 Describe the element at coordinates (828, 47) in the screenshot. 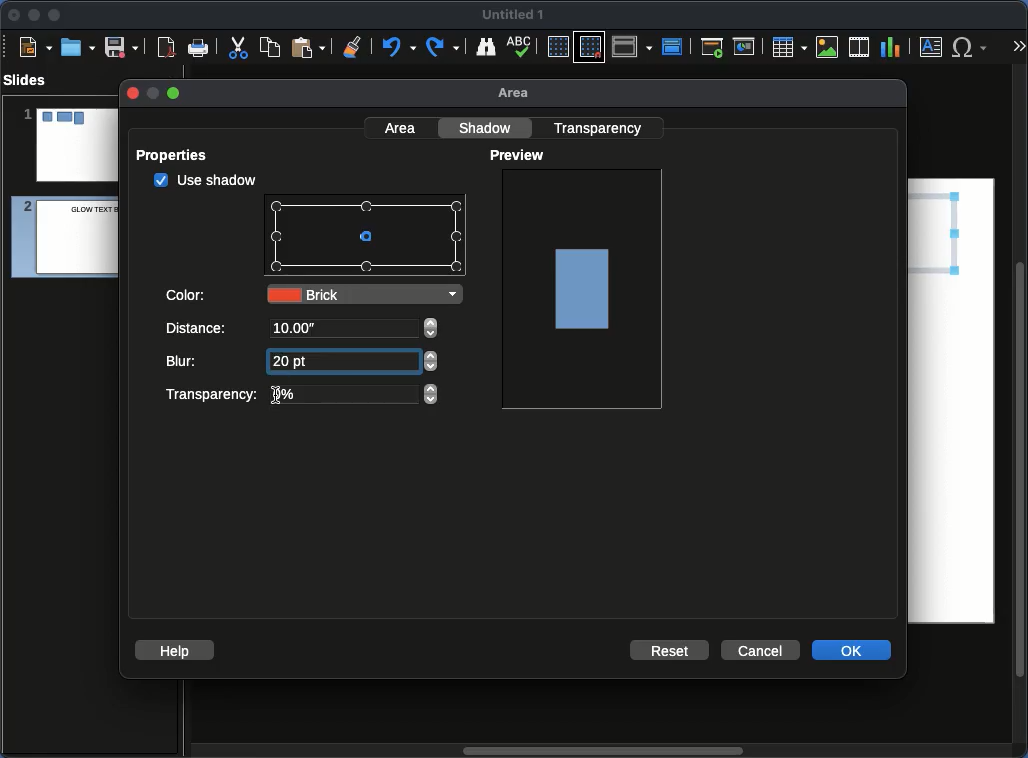

I see `Image` at that location.